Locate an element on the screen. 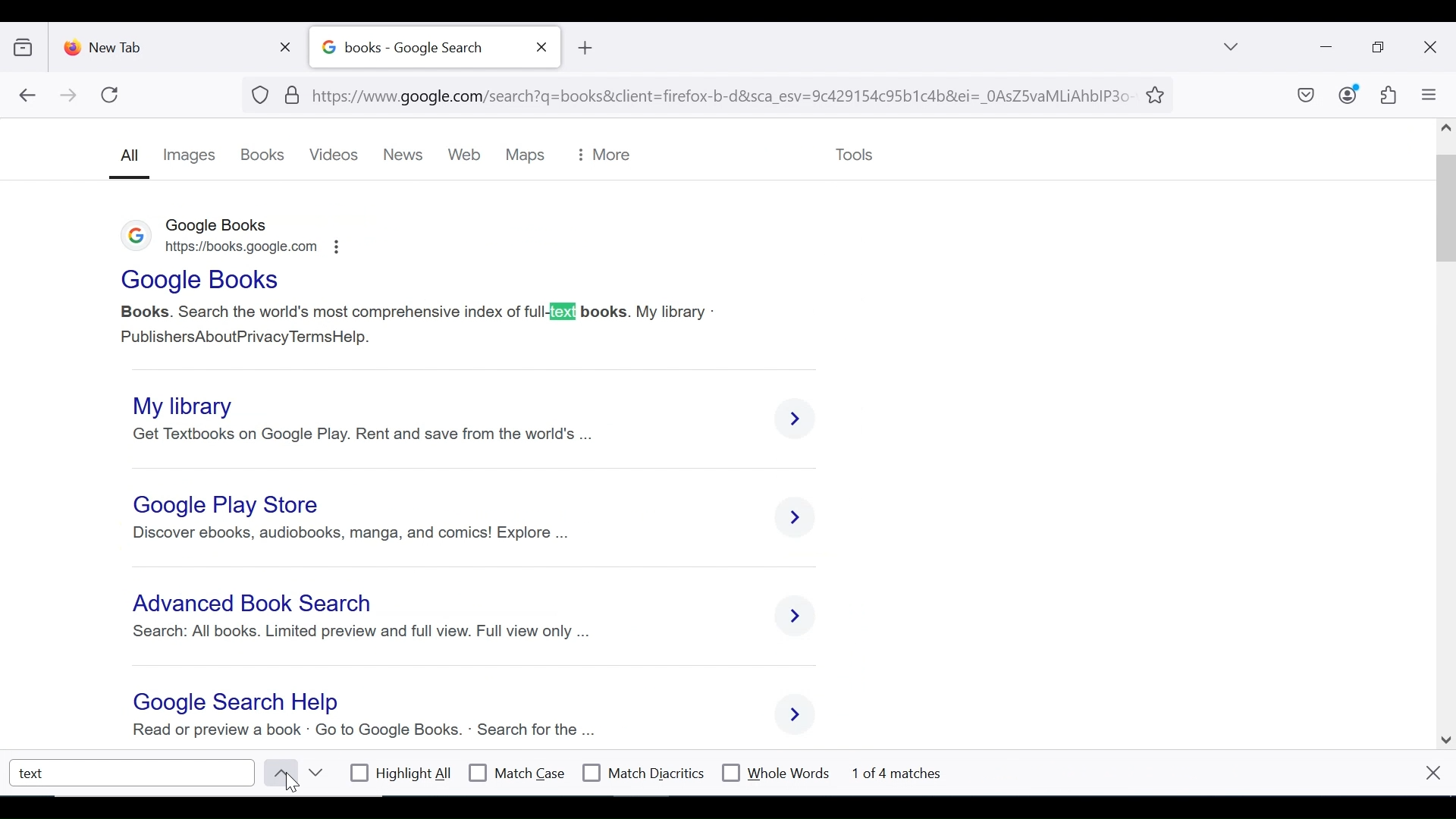  more is located at coordinates (603, 155).